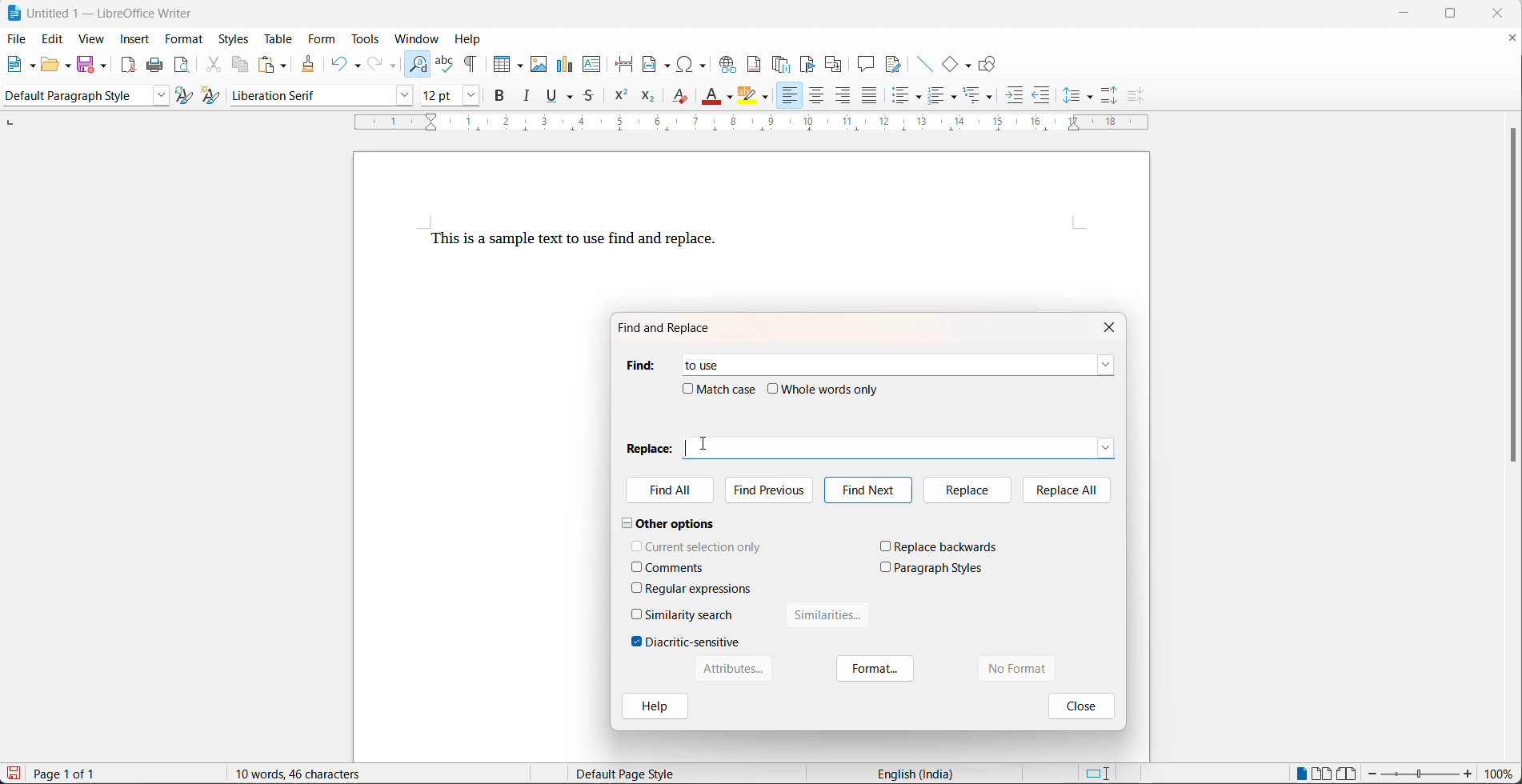  I want to click on insert chart, so click(567, 62).